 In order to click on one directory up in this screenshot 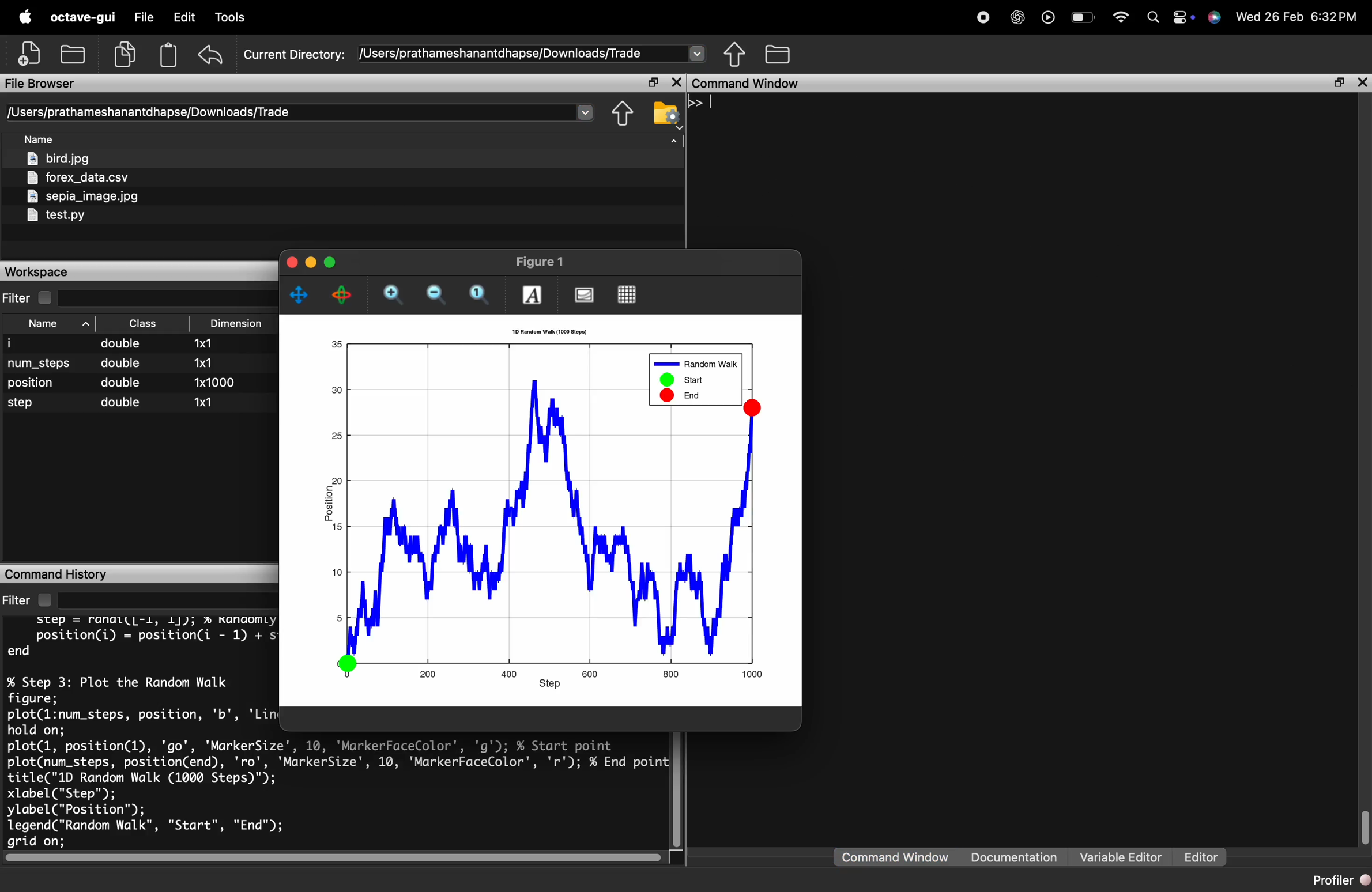, I will do `click(625, 114)`.